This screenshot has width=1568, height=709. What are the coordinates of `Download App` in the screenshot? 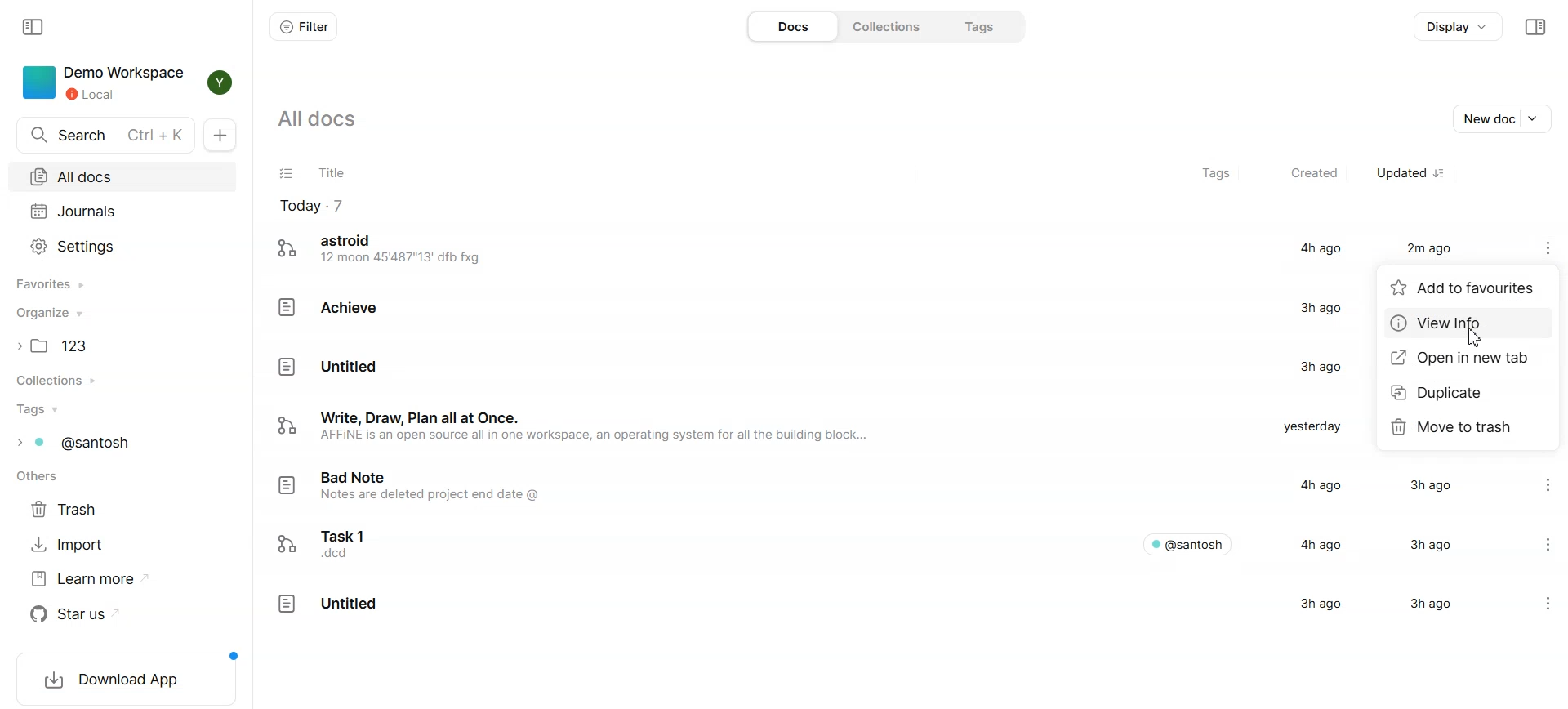 It's located at (125, 681).